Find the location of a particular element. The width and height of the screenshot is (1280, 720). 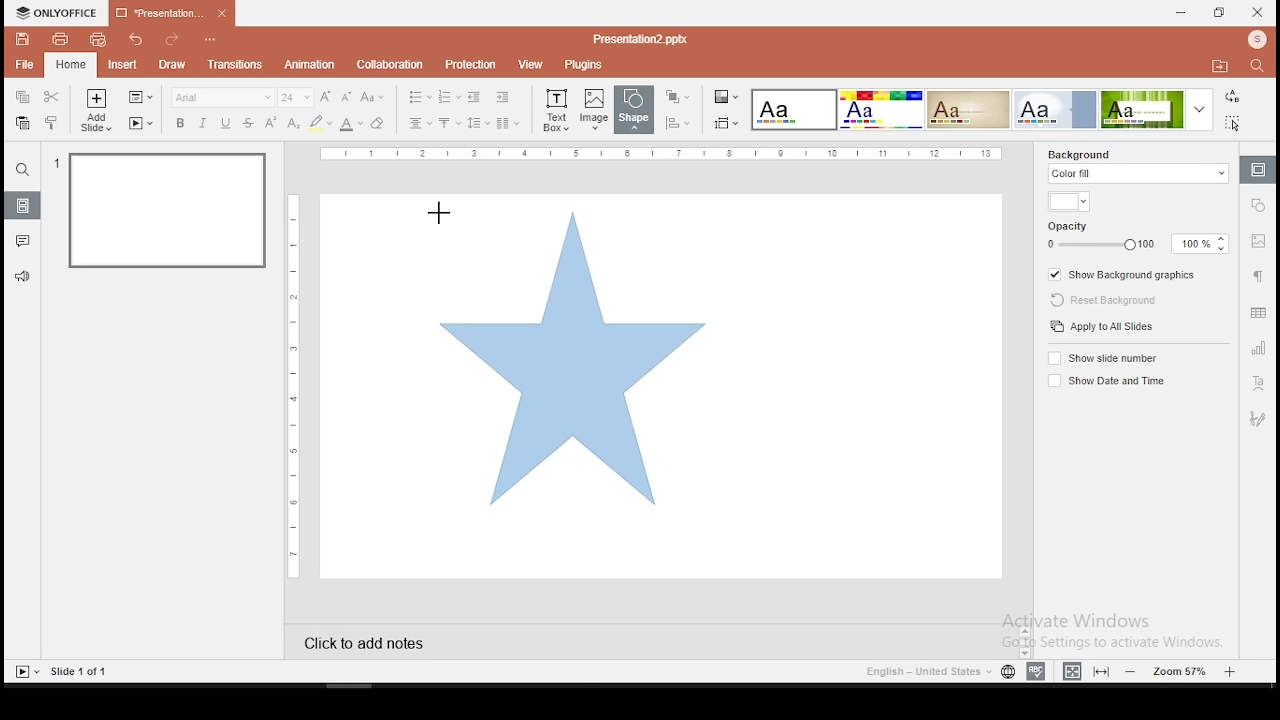

show date and time is located at coordinates (1104, 381).